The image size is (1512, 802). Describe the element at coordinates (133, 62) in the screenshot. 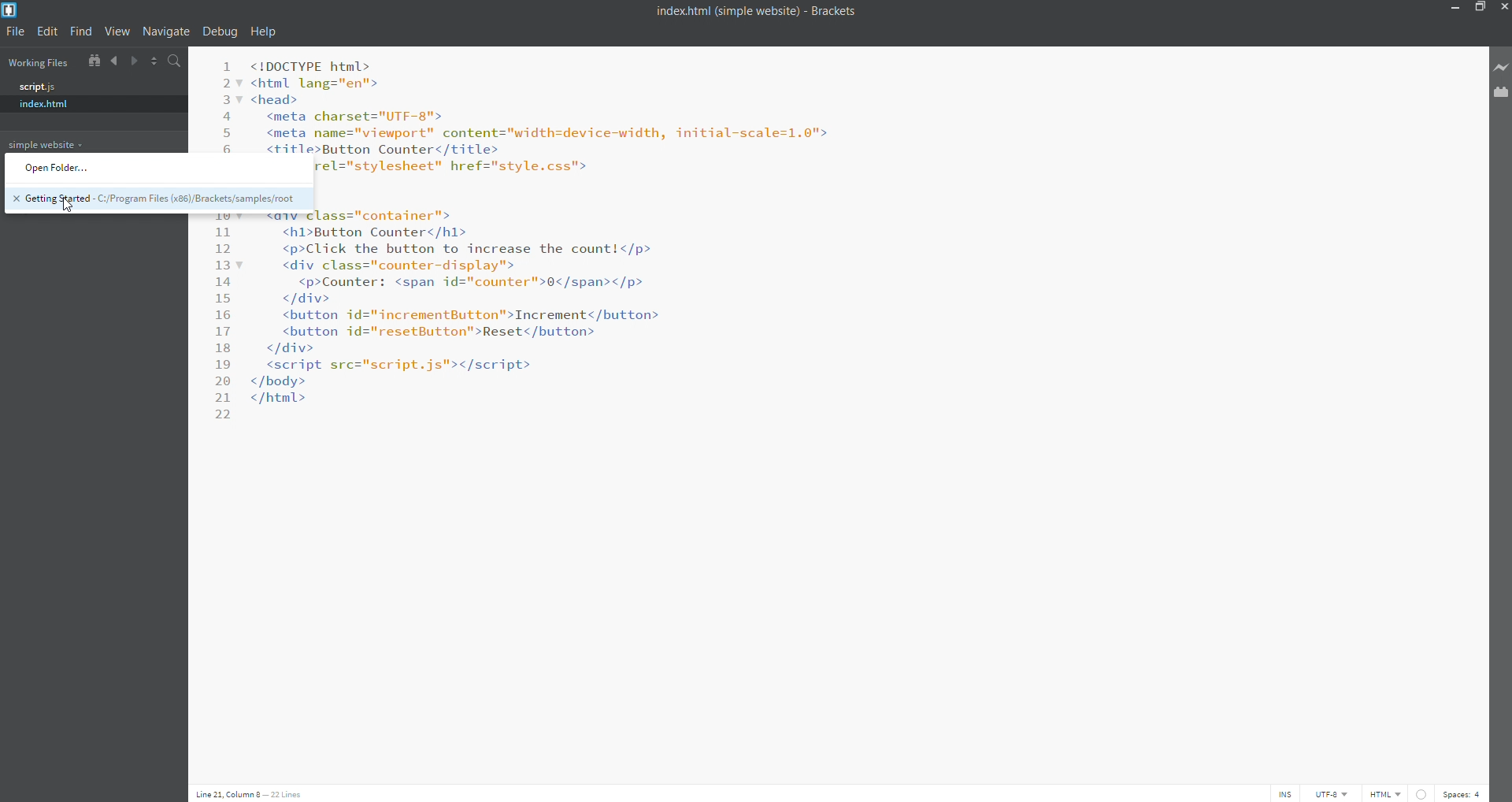

I see `navigate forward` at that location.